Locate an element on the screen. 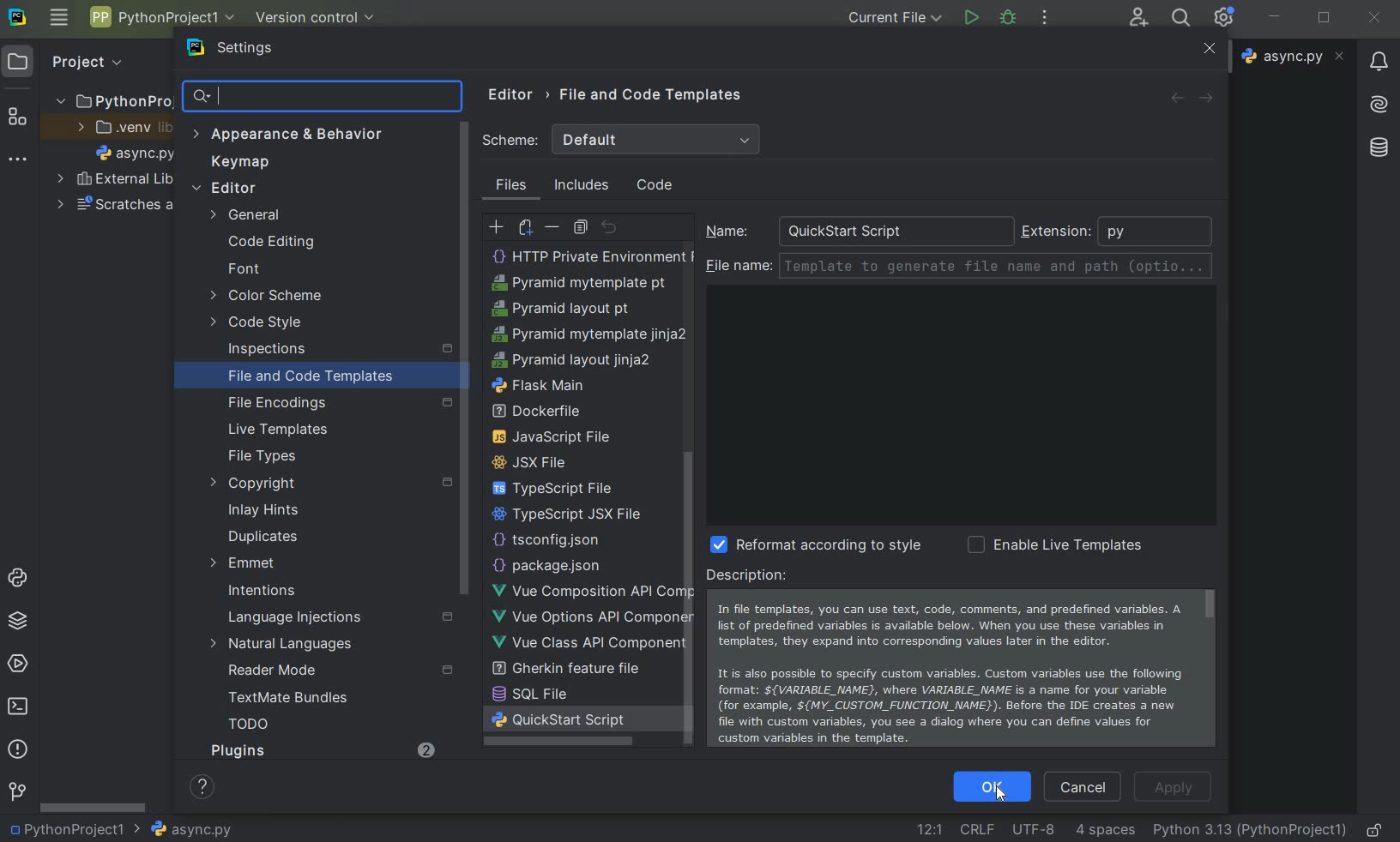 The height and width of the screenshot is (842, 1400). structure is located at coordinates (18, 120).